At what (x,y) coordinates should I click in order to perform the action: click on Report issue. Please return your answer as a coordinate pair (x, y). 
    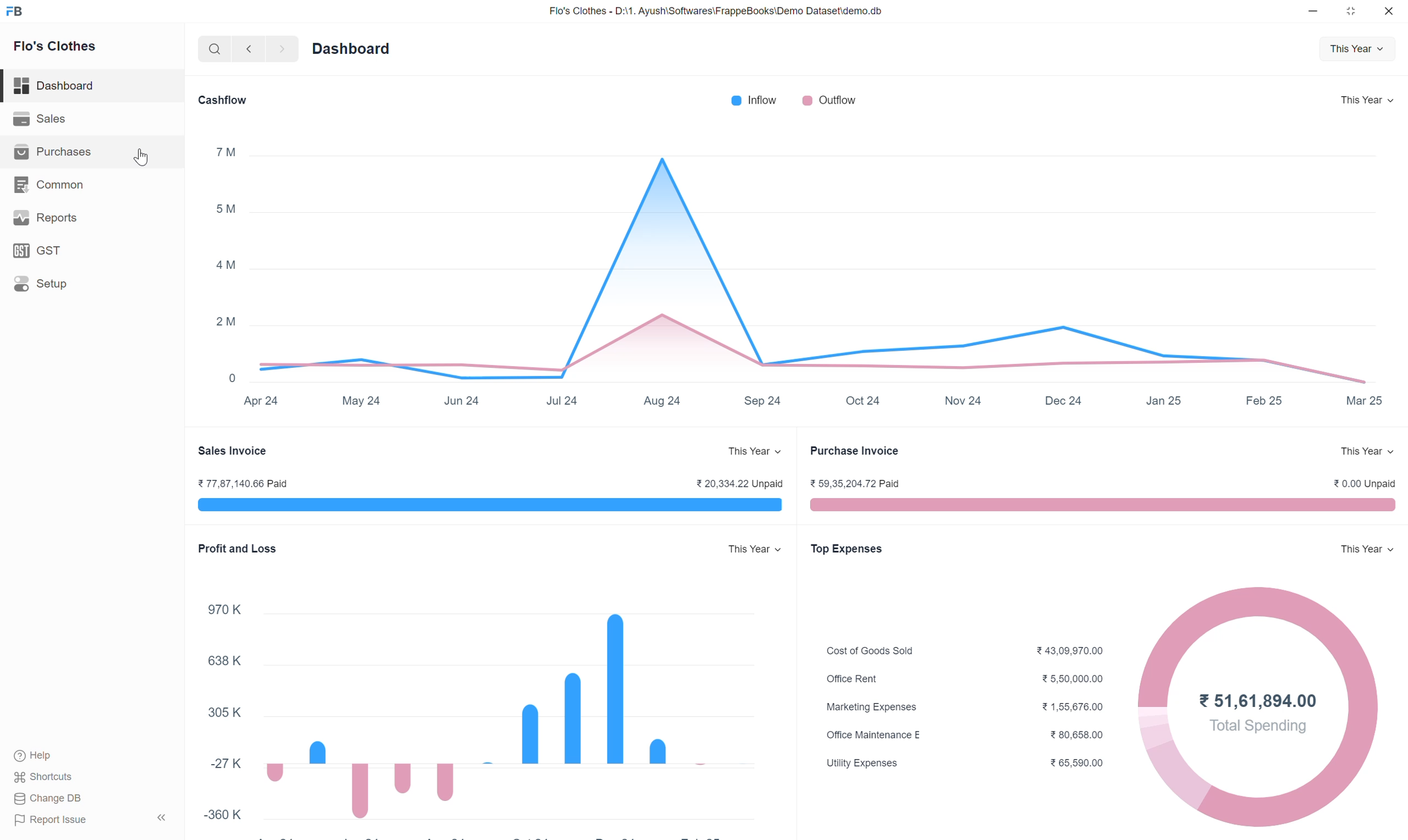
    Looking at the image, I should click on (52, 821).